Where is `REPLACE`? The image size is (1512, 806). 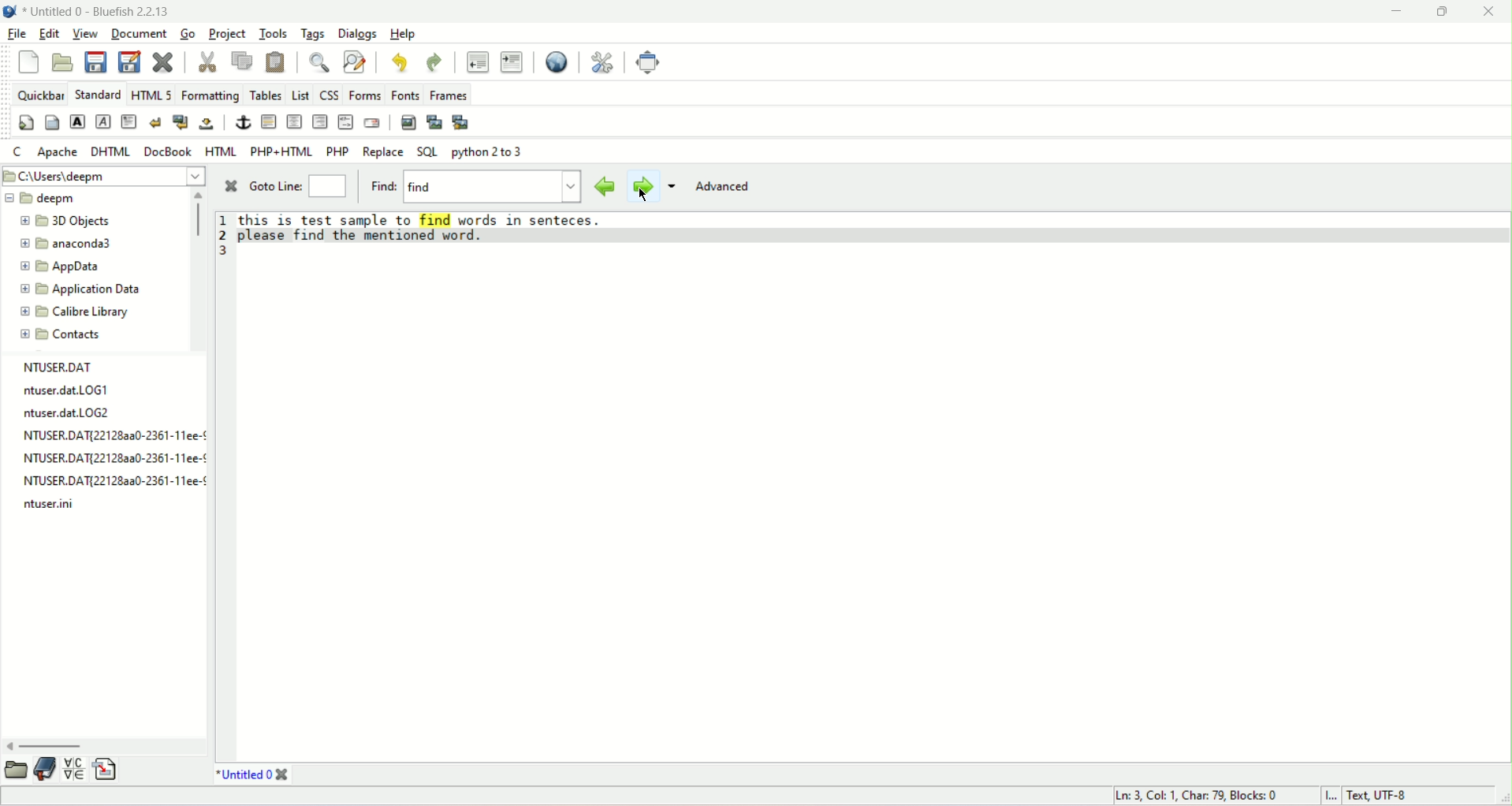
REPLACE is located at coordinates (383, 152).